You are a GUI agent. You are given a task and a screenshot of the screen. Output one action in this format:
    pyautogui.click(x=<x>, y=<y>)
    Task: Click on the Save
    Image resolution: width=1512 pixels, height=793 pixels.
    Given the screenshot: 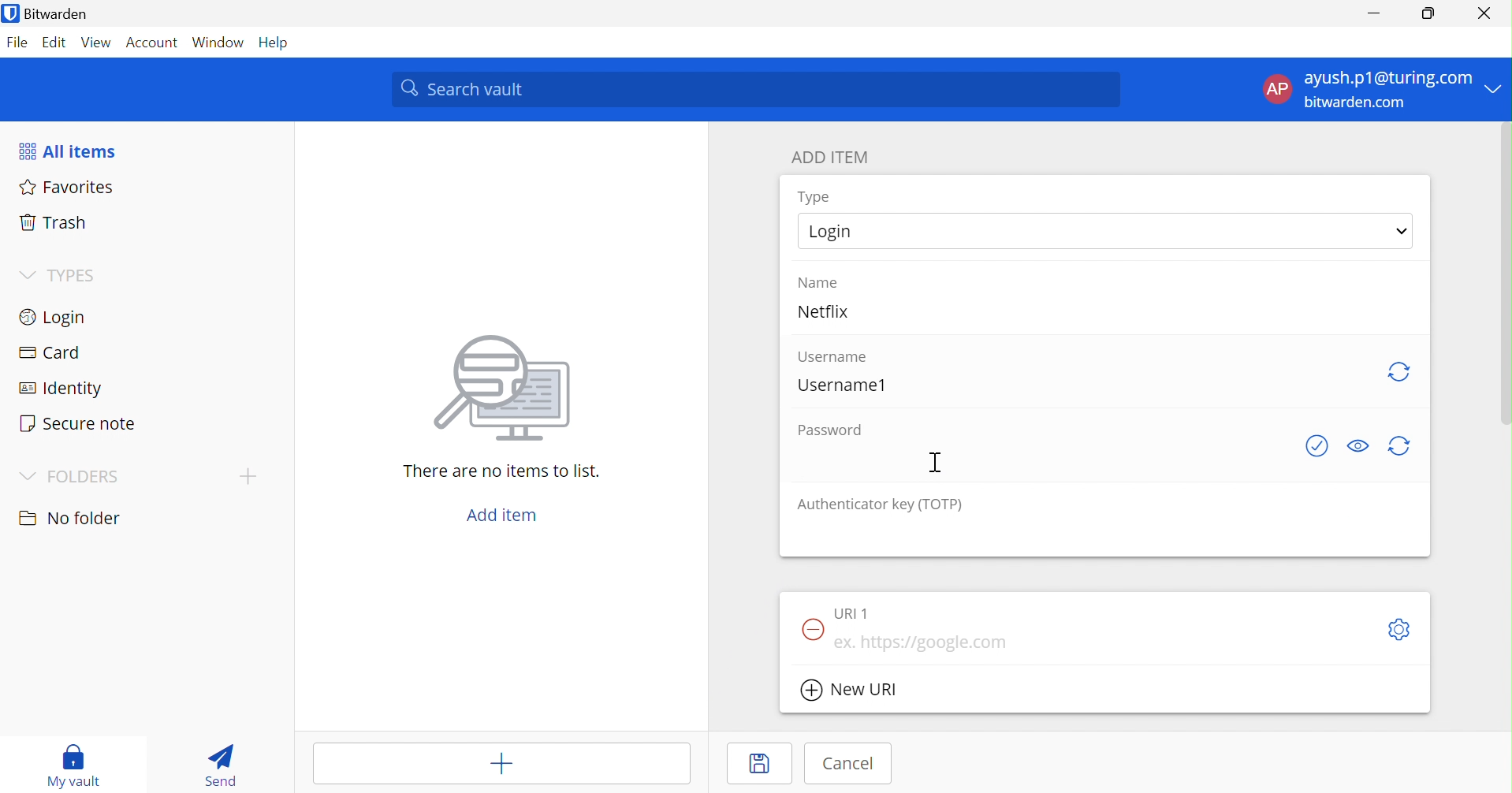 What is the action you would take?
    pyautogui.click(x=760, y=762)
    